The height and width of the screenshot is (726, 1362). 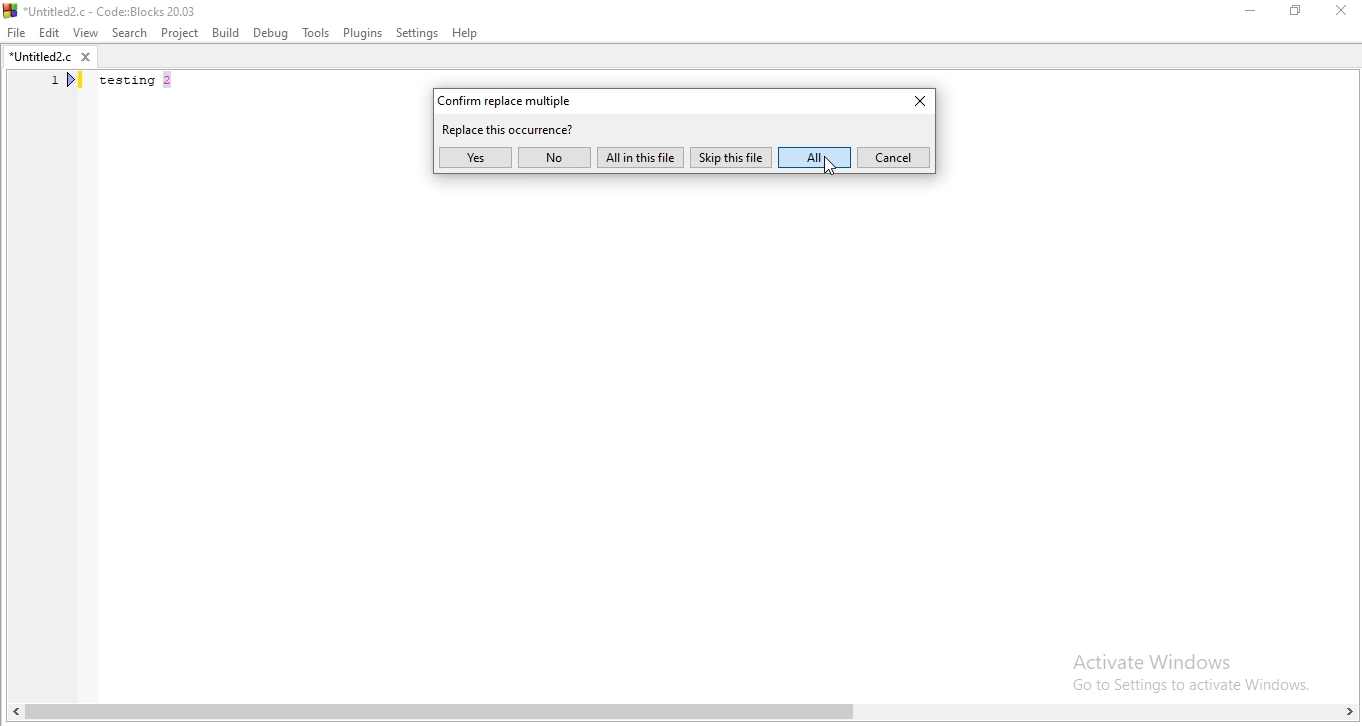 I want to click on confirm replace multiple, so click(x=513, y=99).